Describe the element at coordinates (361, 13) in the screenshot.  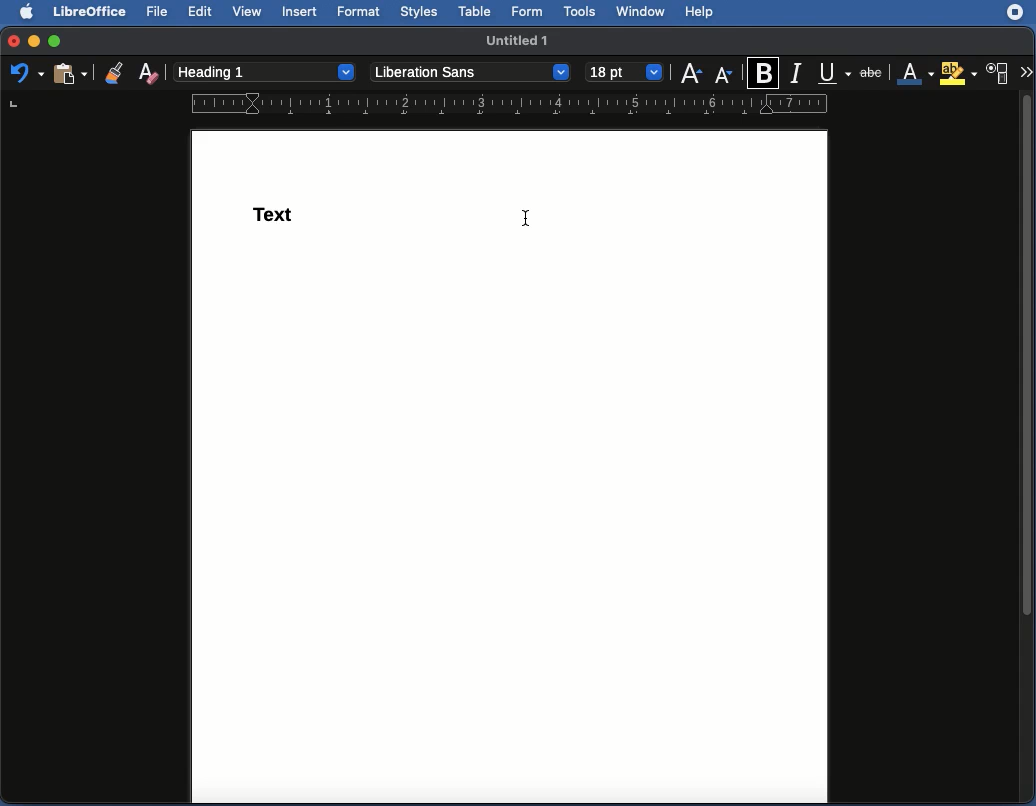
I see `Format` at that location.